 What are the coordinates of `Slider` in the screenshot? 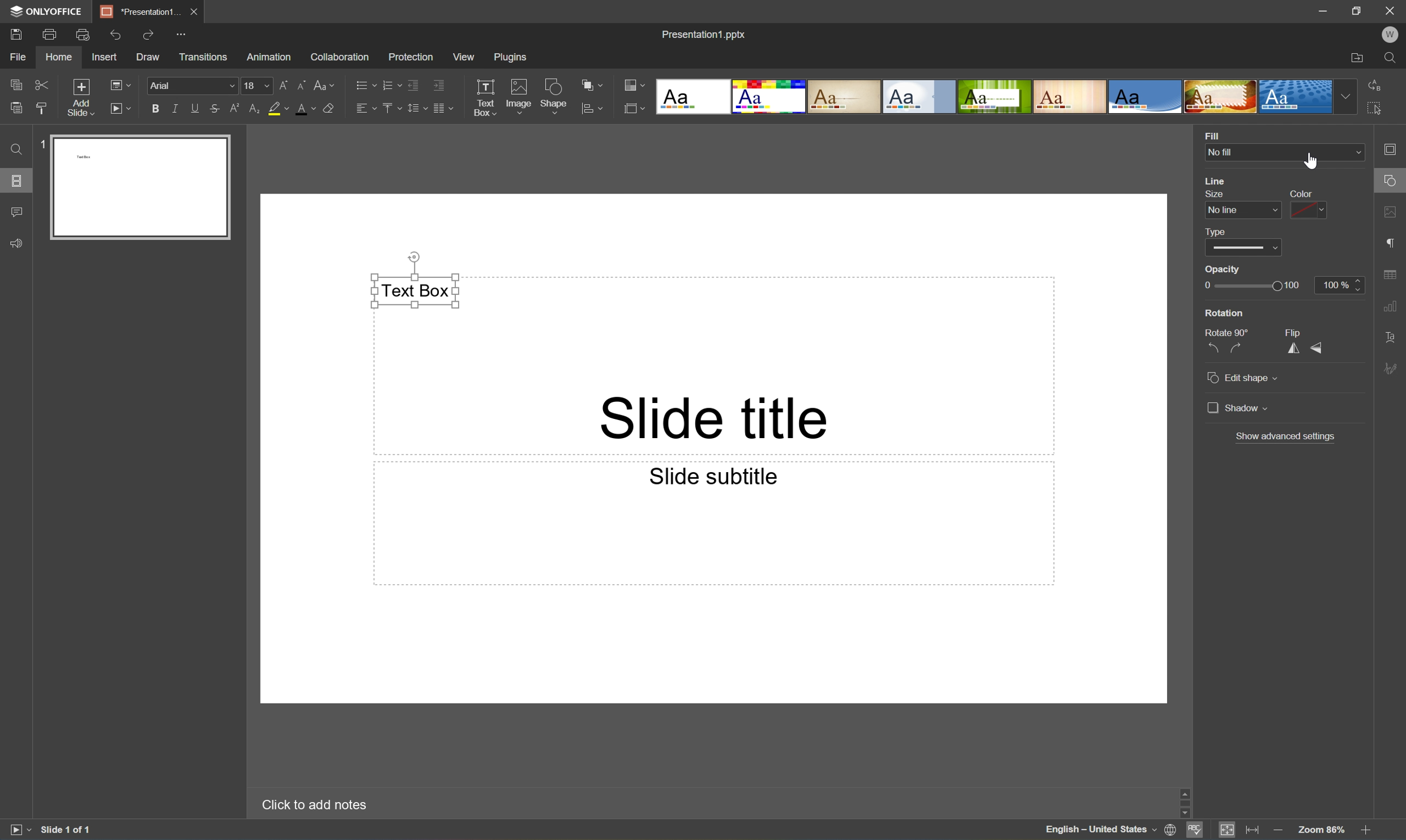 It's located at (1251, 287).